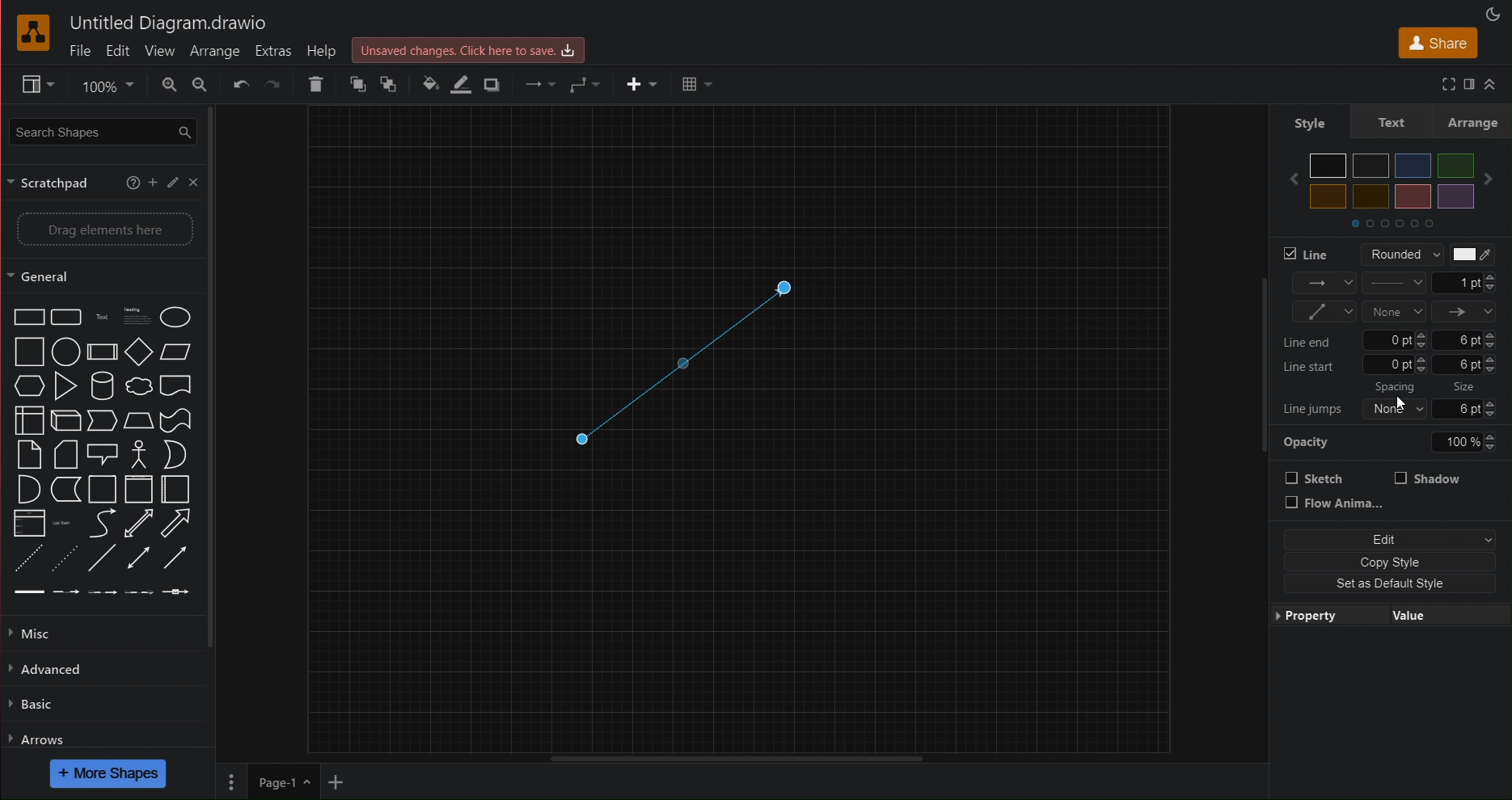  I want to click on bookmark text, so click(1468, 82).